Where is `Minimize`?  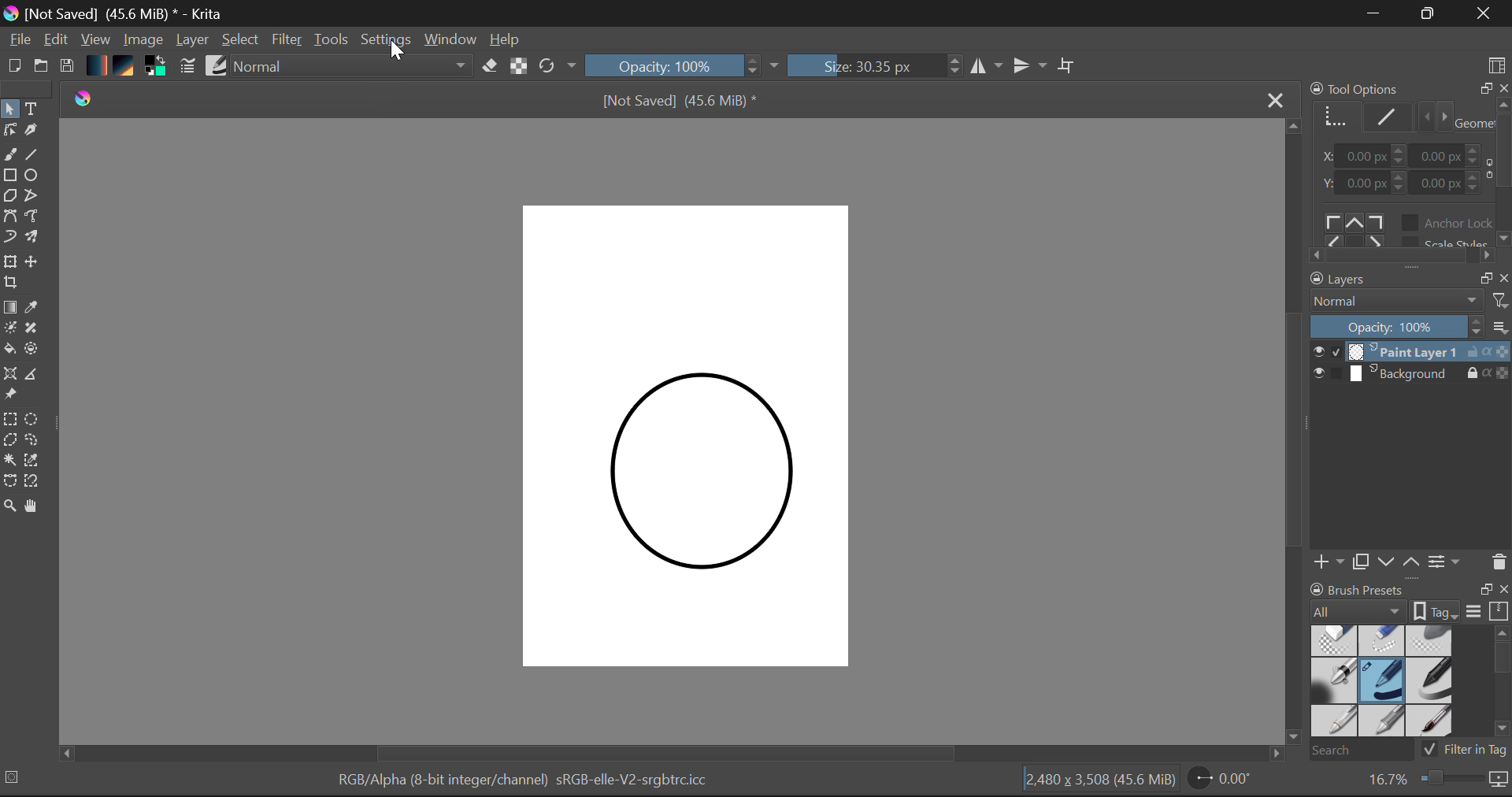 Minimize is located at coordinates (1429, 13).